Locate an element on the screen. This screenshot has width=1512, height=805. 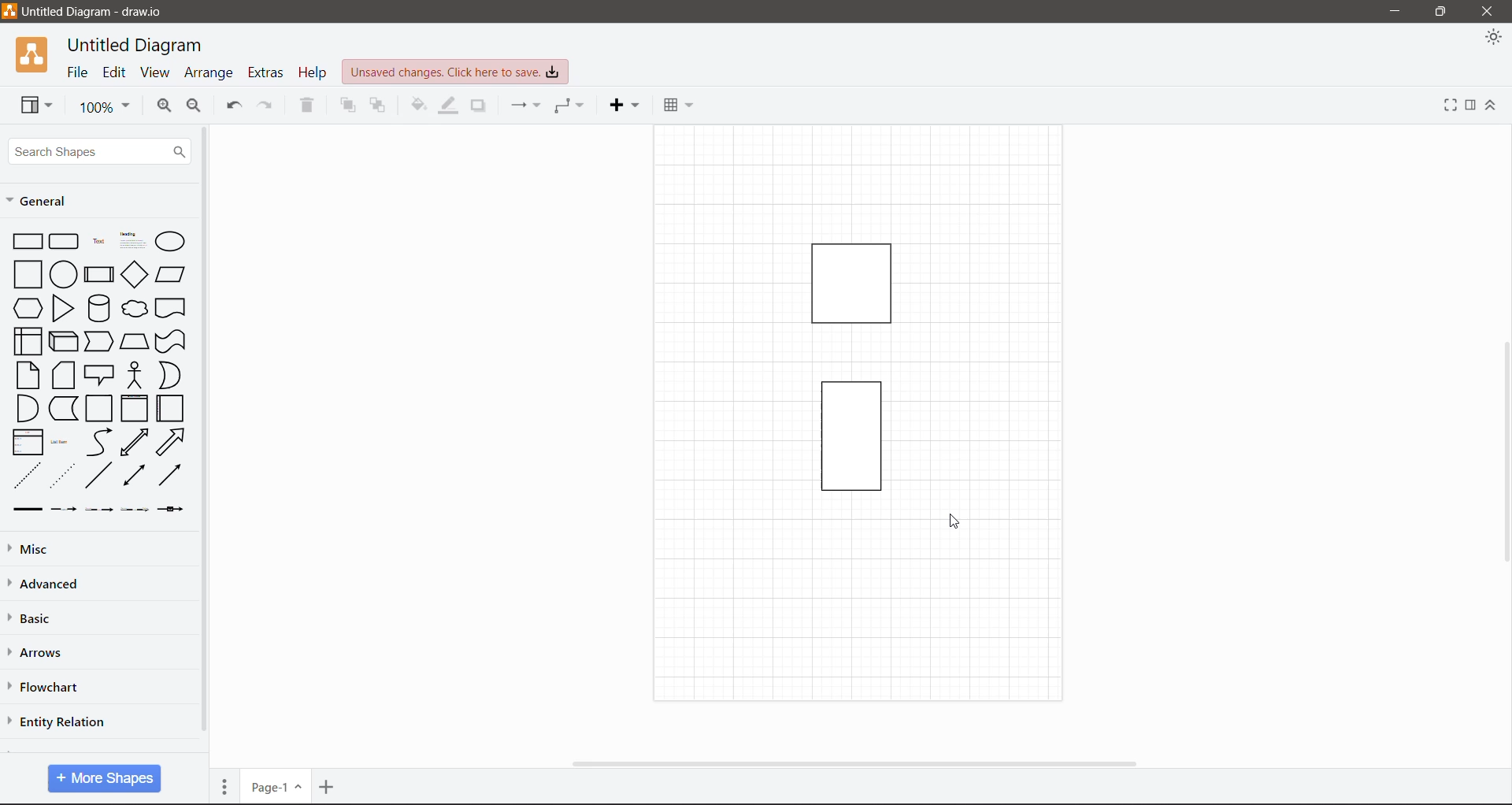
Extras is located at coordinates (265, 72).